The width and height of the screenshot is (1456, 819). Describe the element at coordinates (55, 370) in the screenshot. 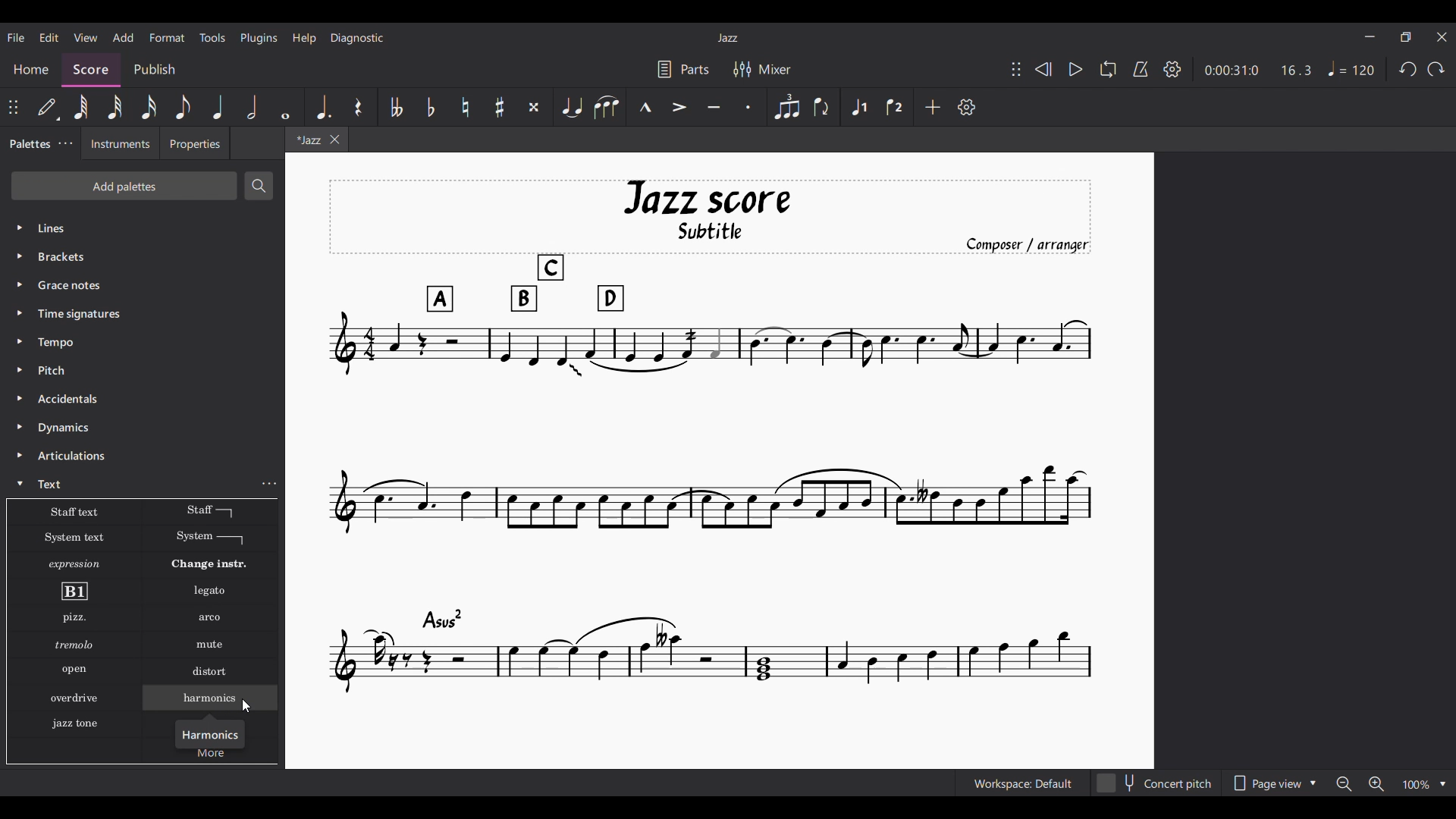

I see `Pitch` at that location.